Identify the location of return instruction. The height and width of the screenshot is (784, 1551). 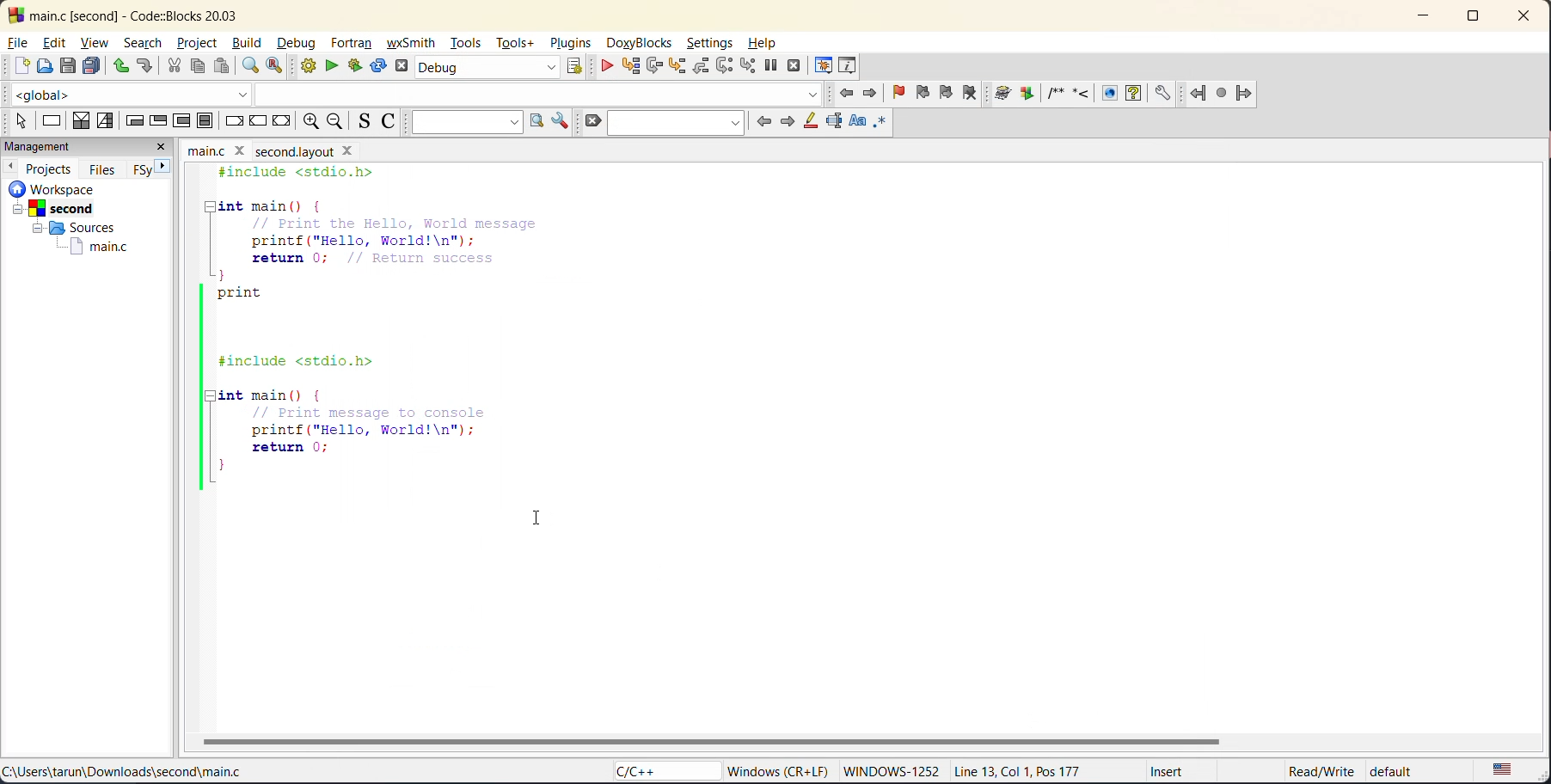
(281, 123).